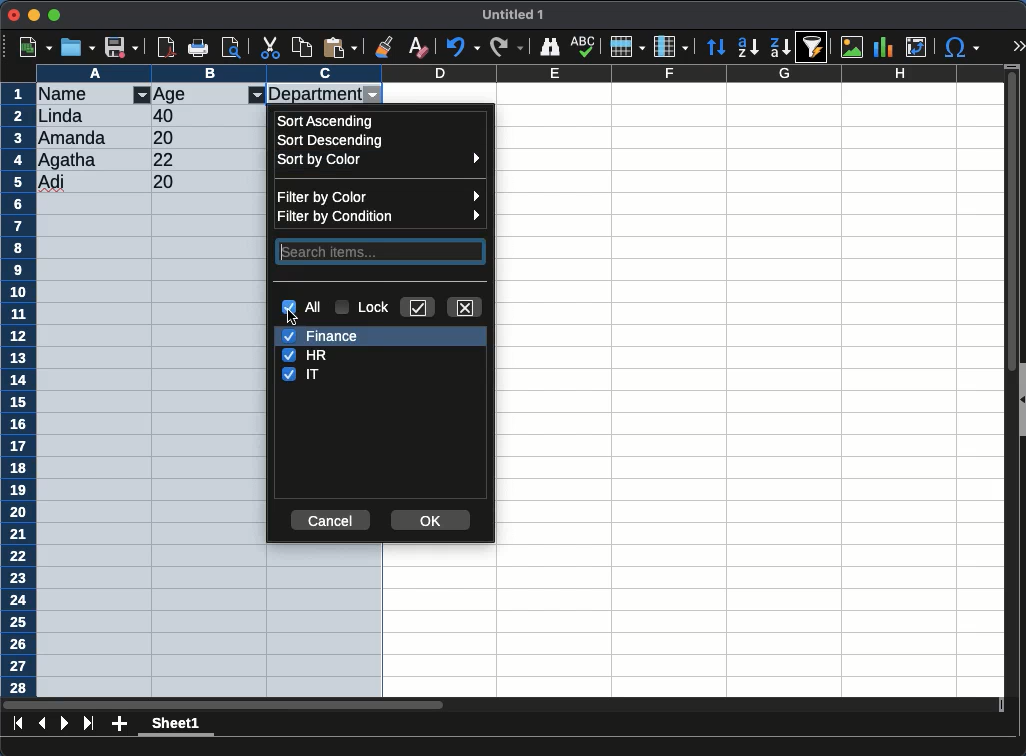 The height and width of the screenshot is (756, 1026). Describe the element at coordinates (718, 47) in the screenshot. I see `sort` at that location.